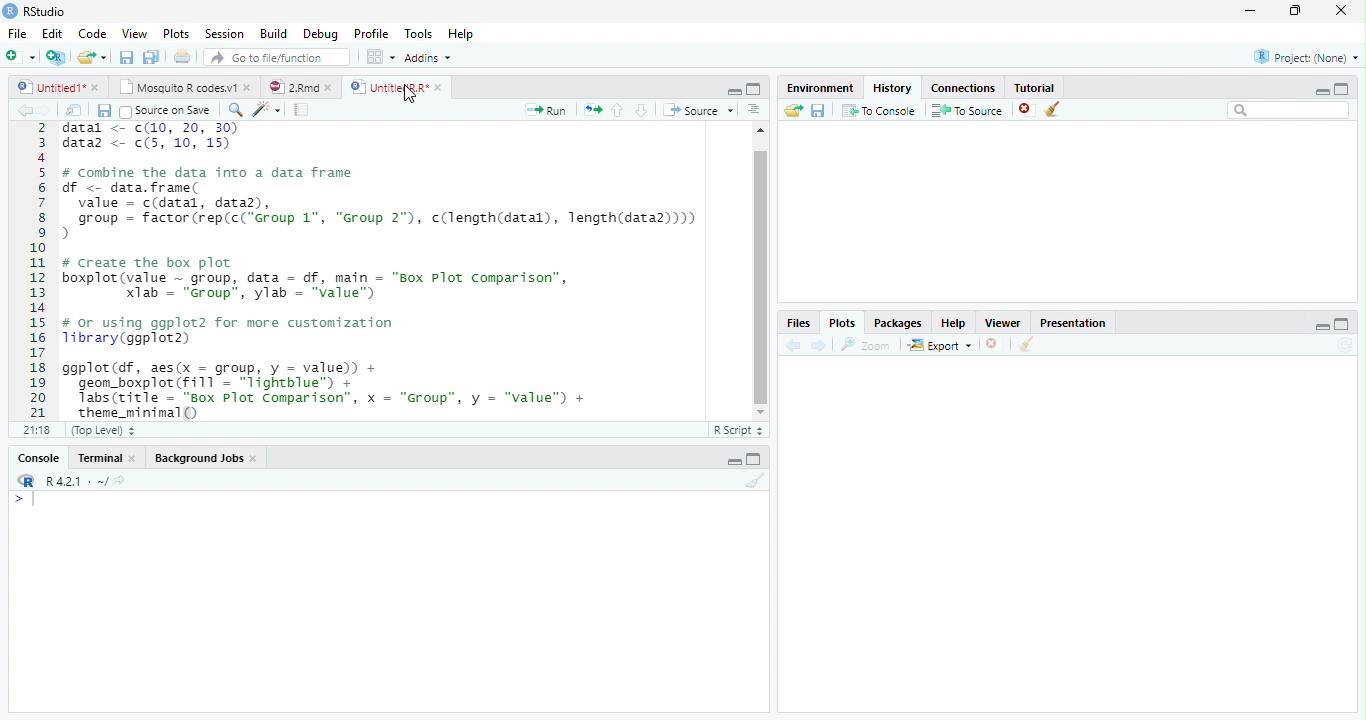 This screenshot has width=1366, height=720. I want to click on Line numbers, so click(36, 271).